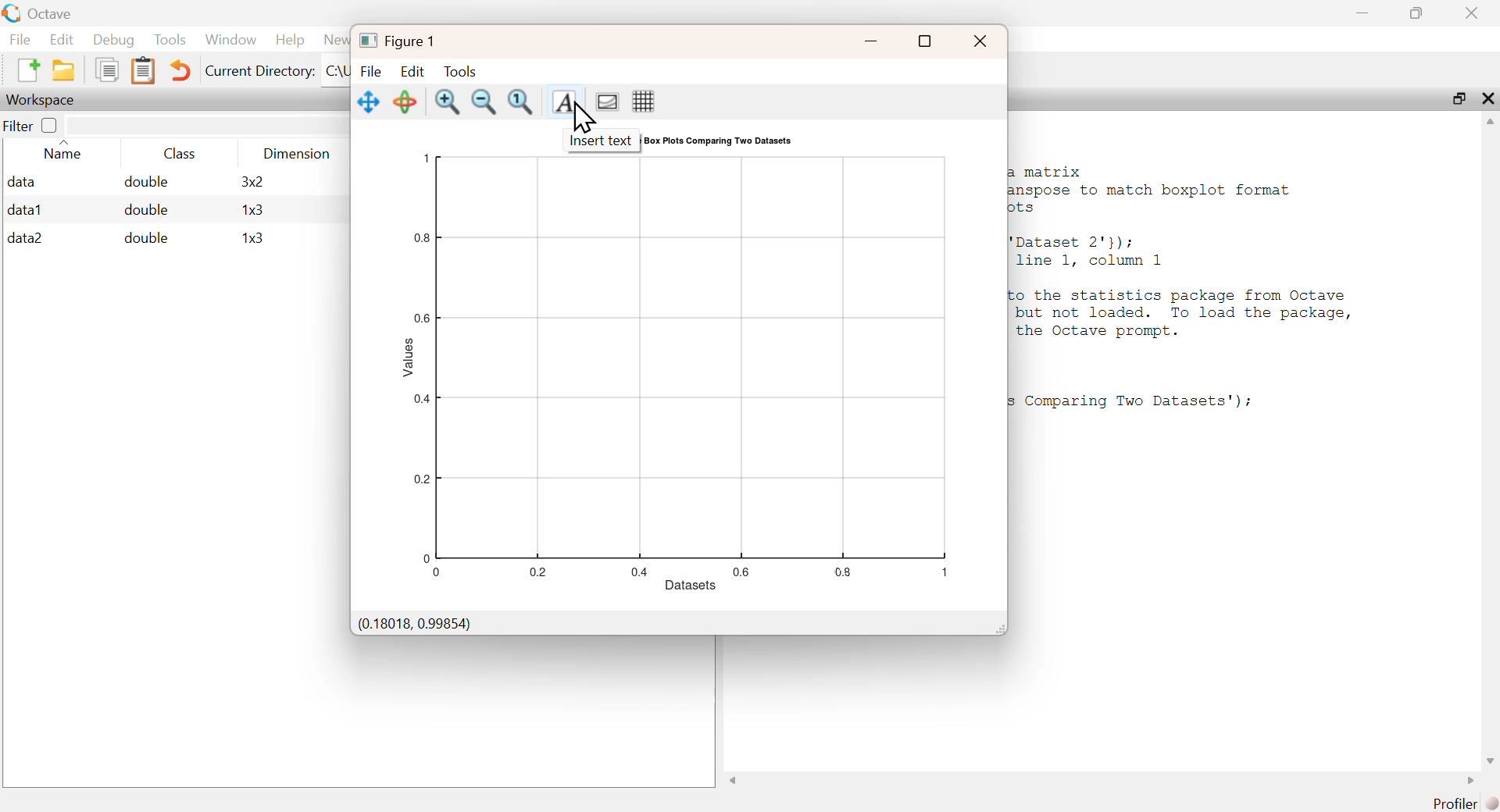 This screenshot has width=1500, height=812. I want to click on double, so click(148, 210).